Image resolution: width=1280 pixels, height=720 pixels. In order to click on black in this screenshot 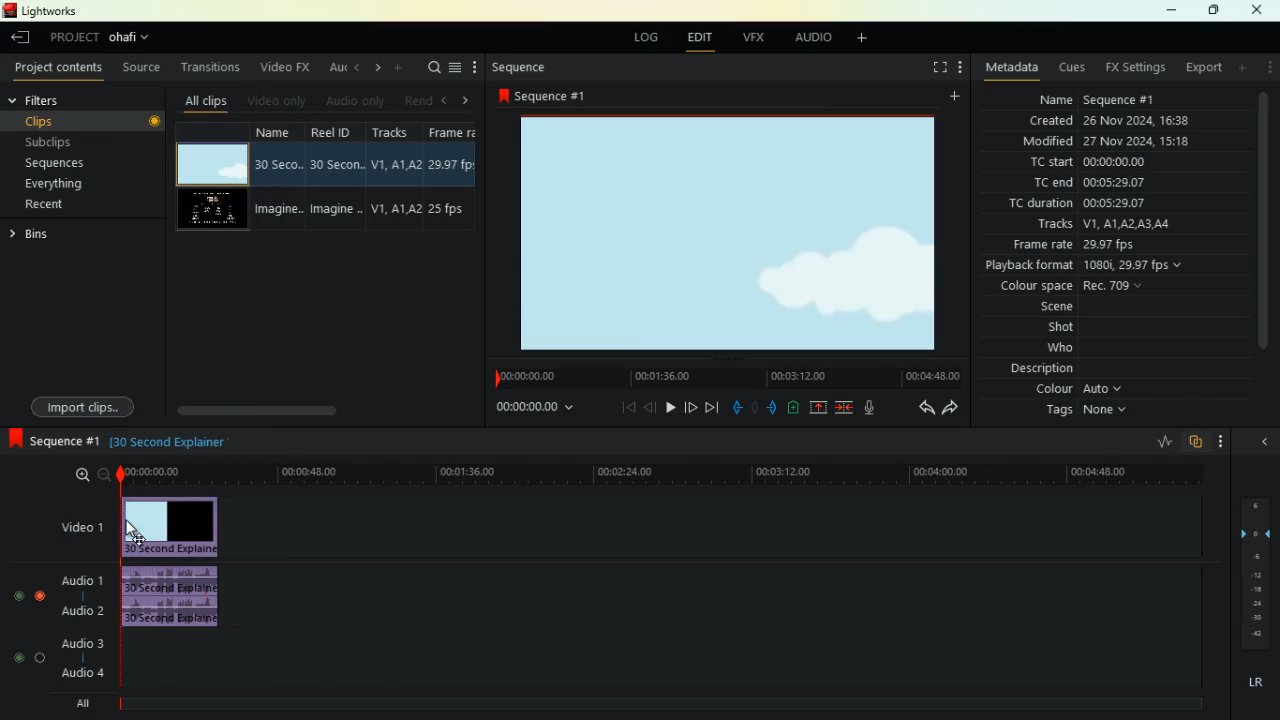, I will do `click(126, 442)`.